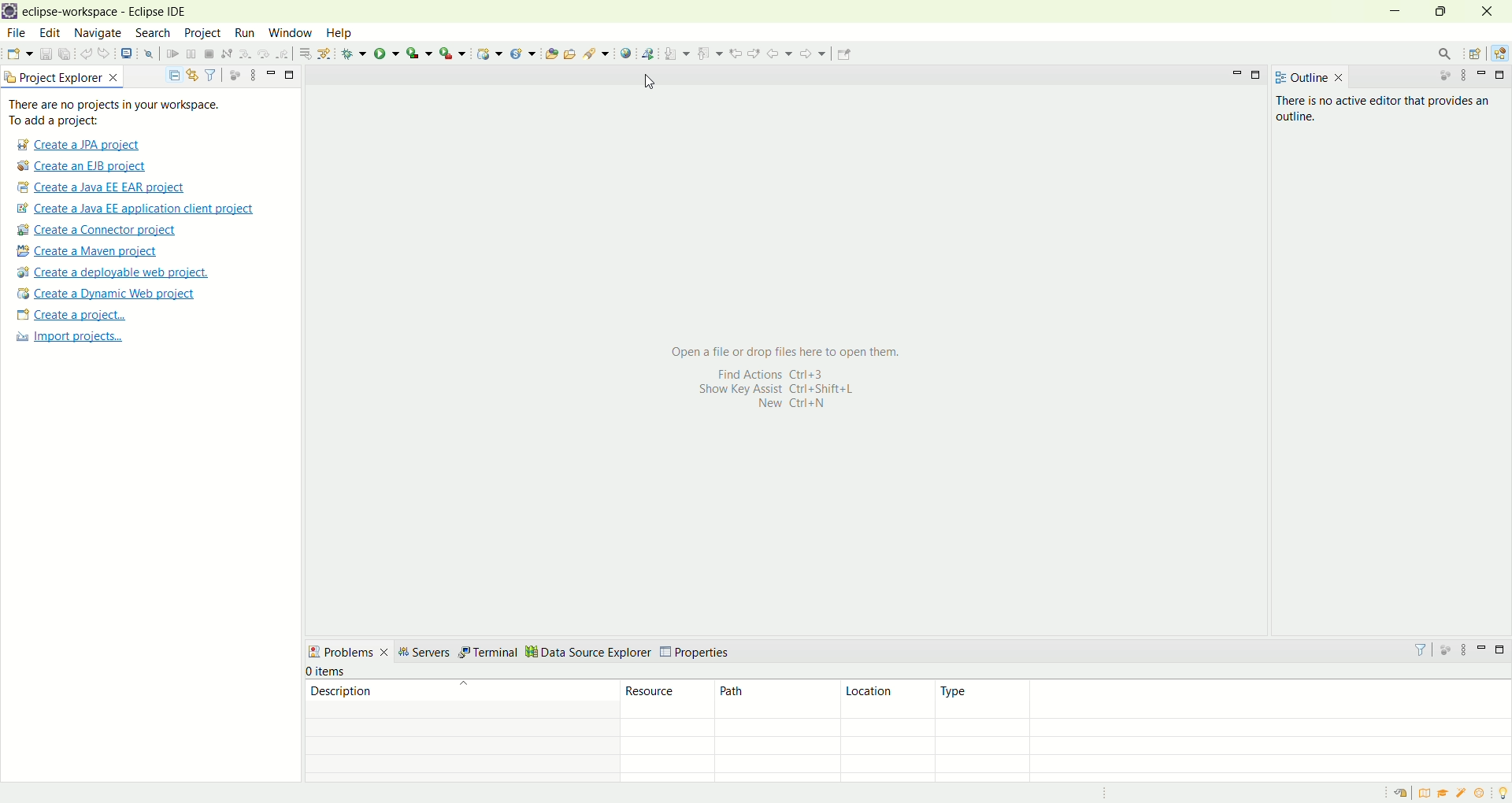 Image resolution: width=1512 pixels, height=803 pixels. What do you see at coordinates (105, 294) in the screenshot?
I see `create a dynamic web project` at bounding box center [105, 294].